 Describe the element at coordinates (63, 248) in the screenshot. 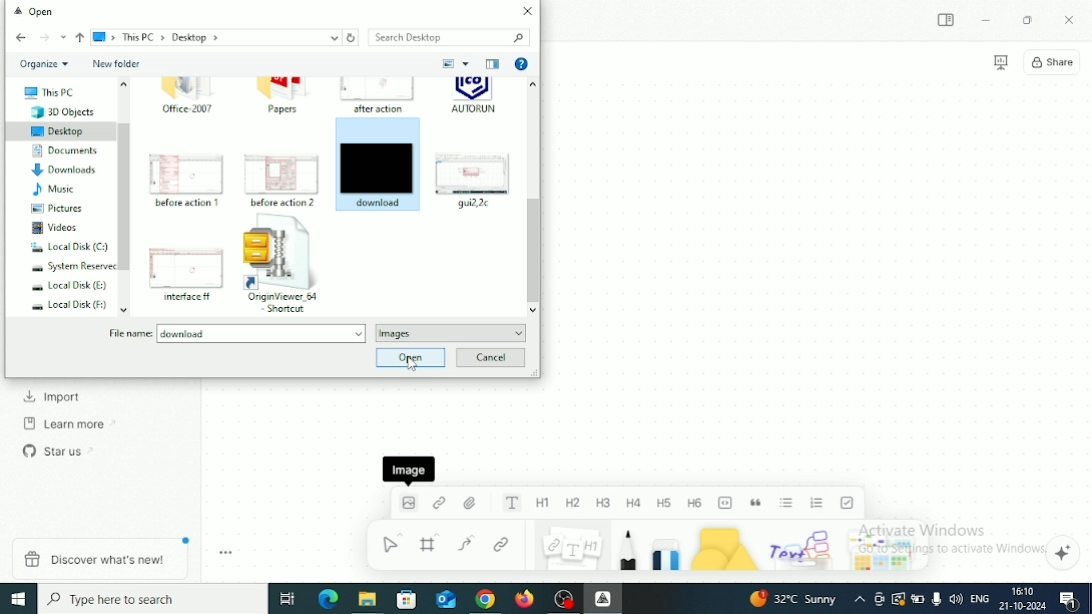

I see `Local Disk` at that location.